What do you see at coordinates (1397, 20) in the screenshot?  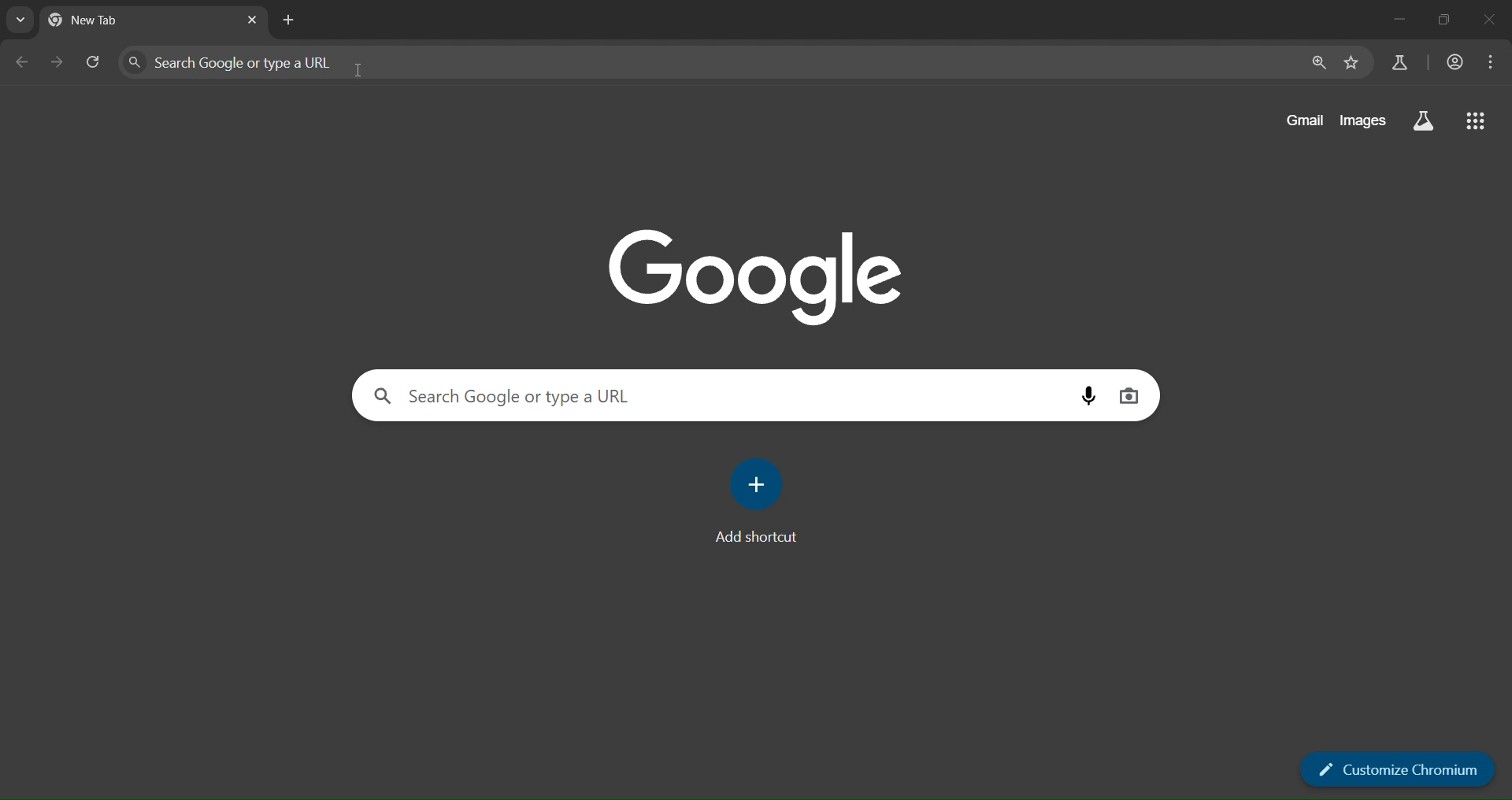 I see `Minimize` at bounding box center [1397, 20].